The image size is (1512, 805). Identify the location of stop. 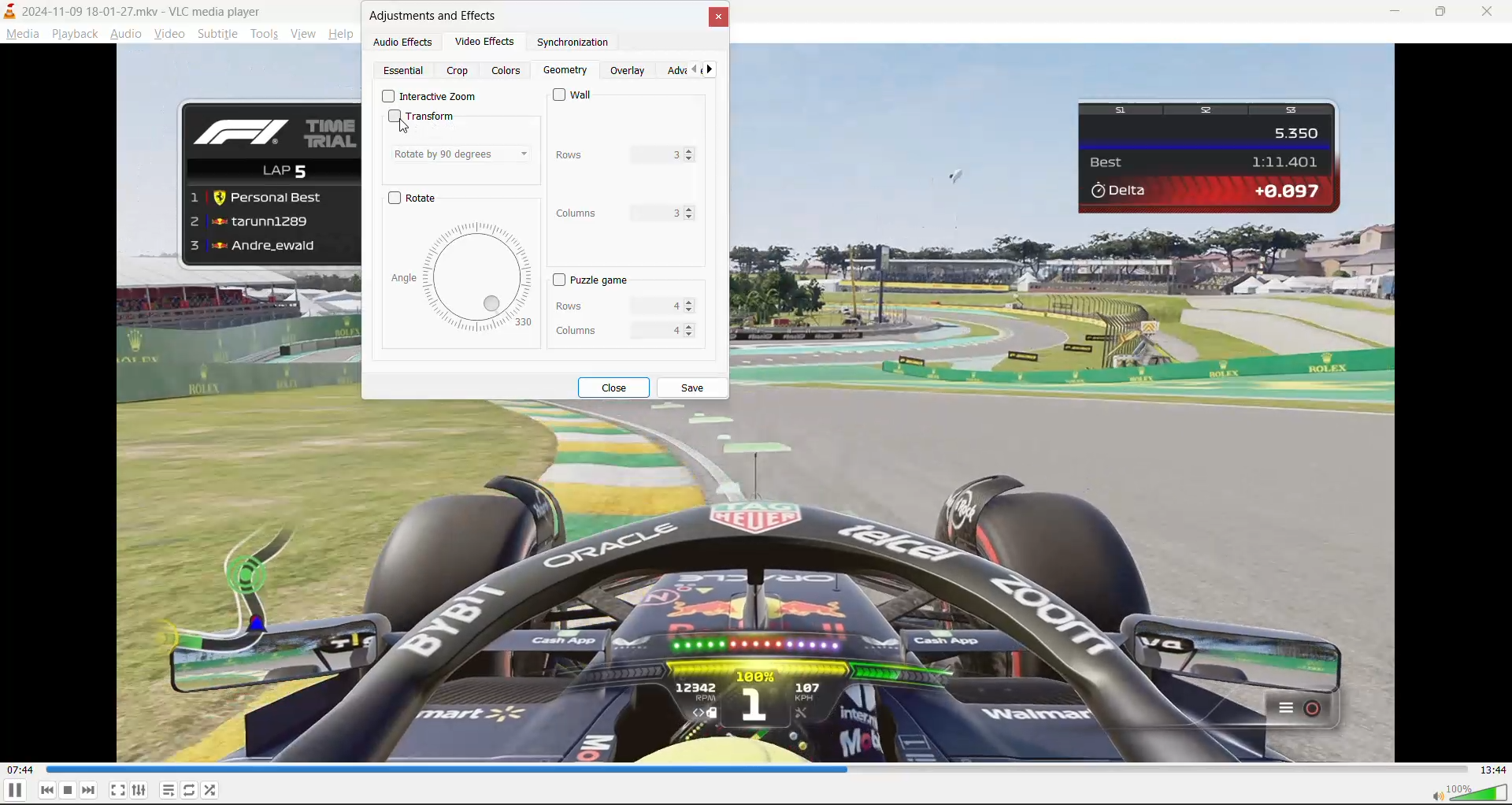
(69, 790).